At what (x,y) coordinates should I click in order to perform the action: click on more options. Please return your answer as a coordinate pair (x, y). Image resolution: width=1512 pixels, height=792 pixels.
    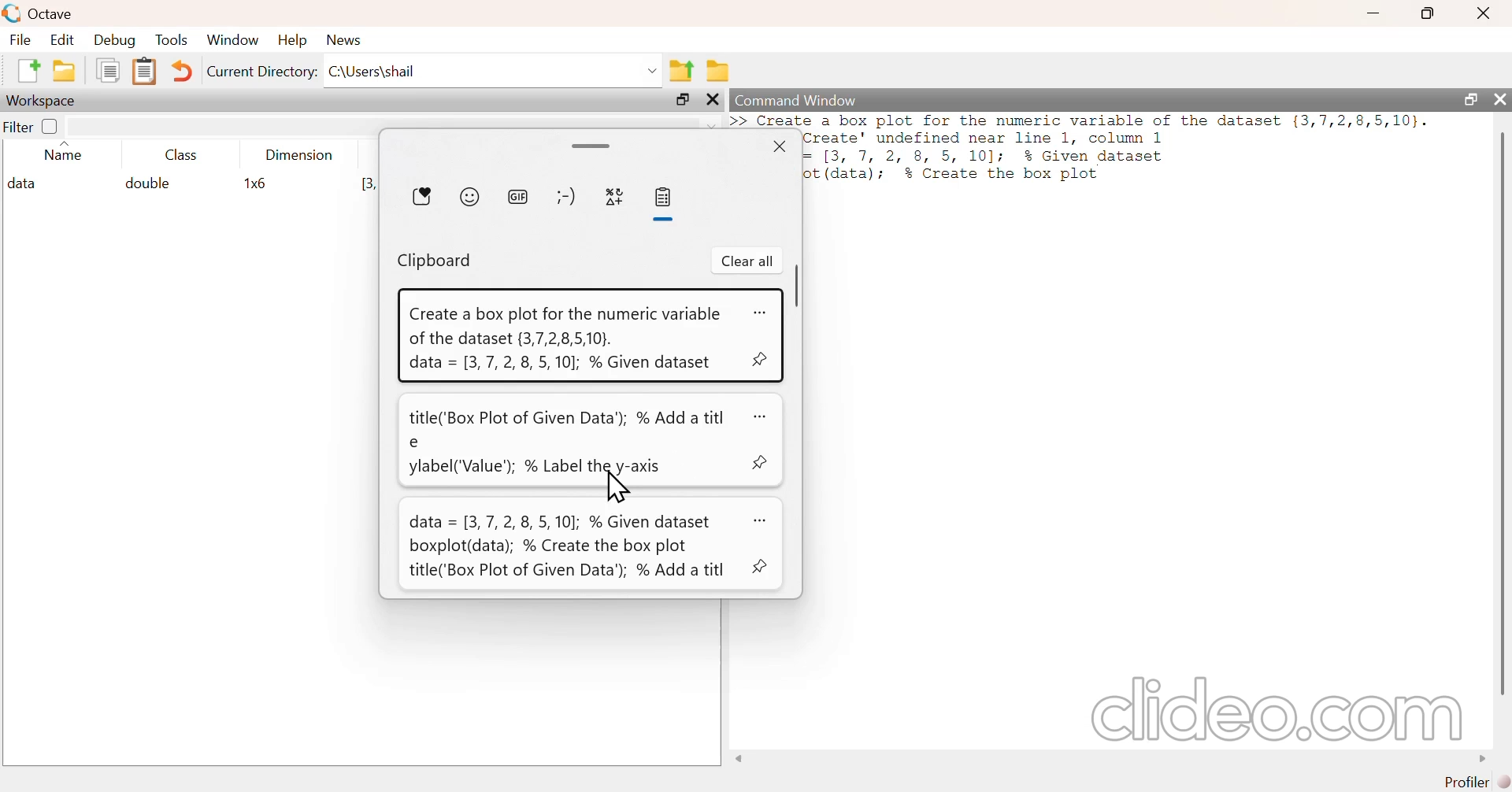
    Looking at the image, I should click on (758, 313).